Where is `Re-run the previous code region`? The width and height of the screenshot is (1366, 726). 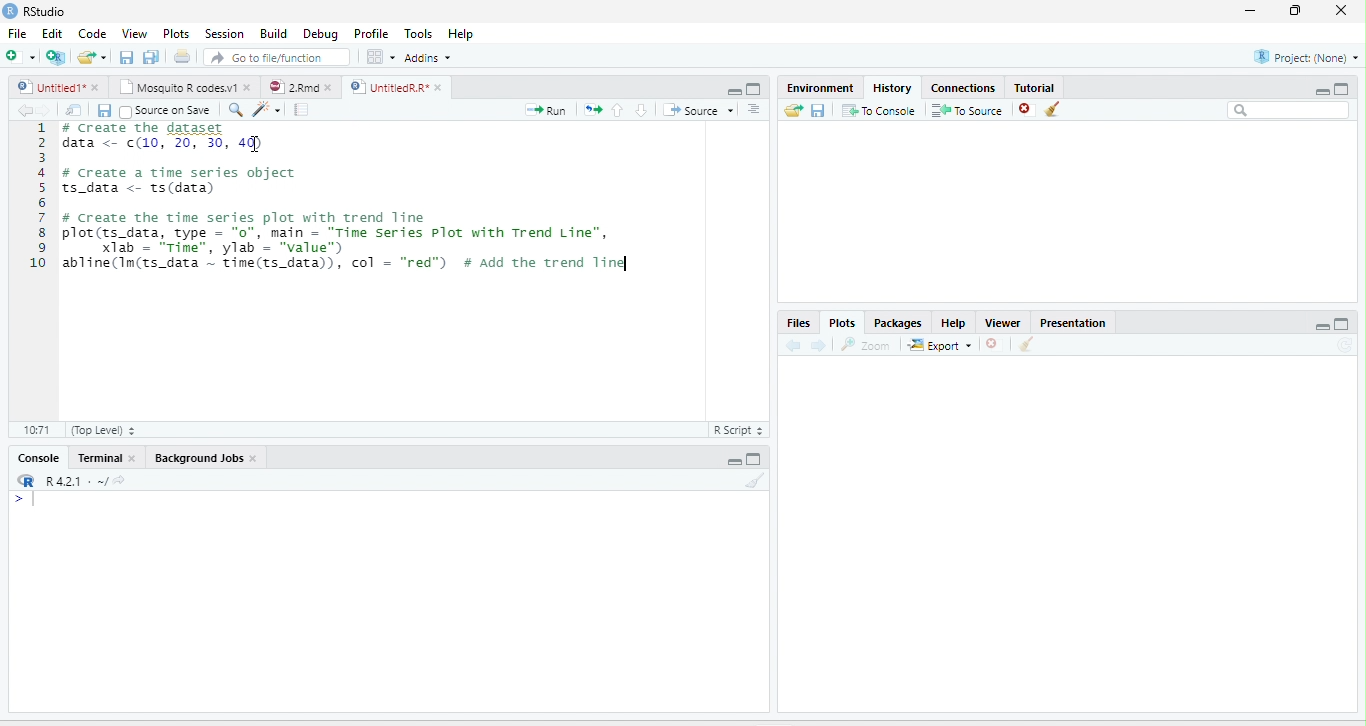
Re-run the previous code region is located at coordinates (592, 110).